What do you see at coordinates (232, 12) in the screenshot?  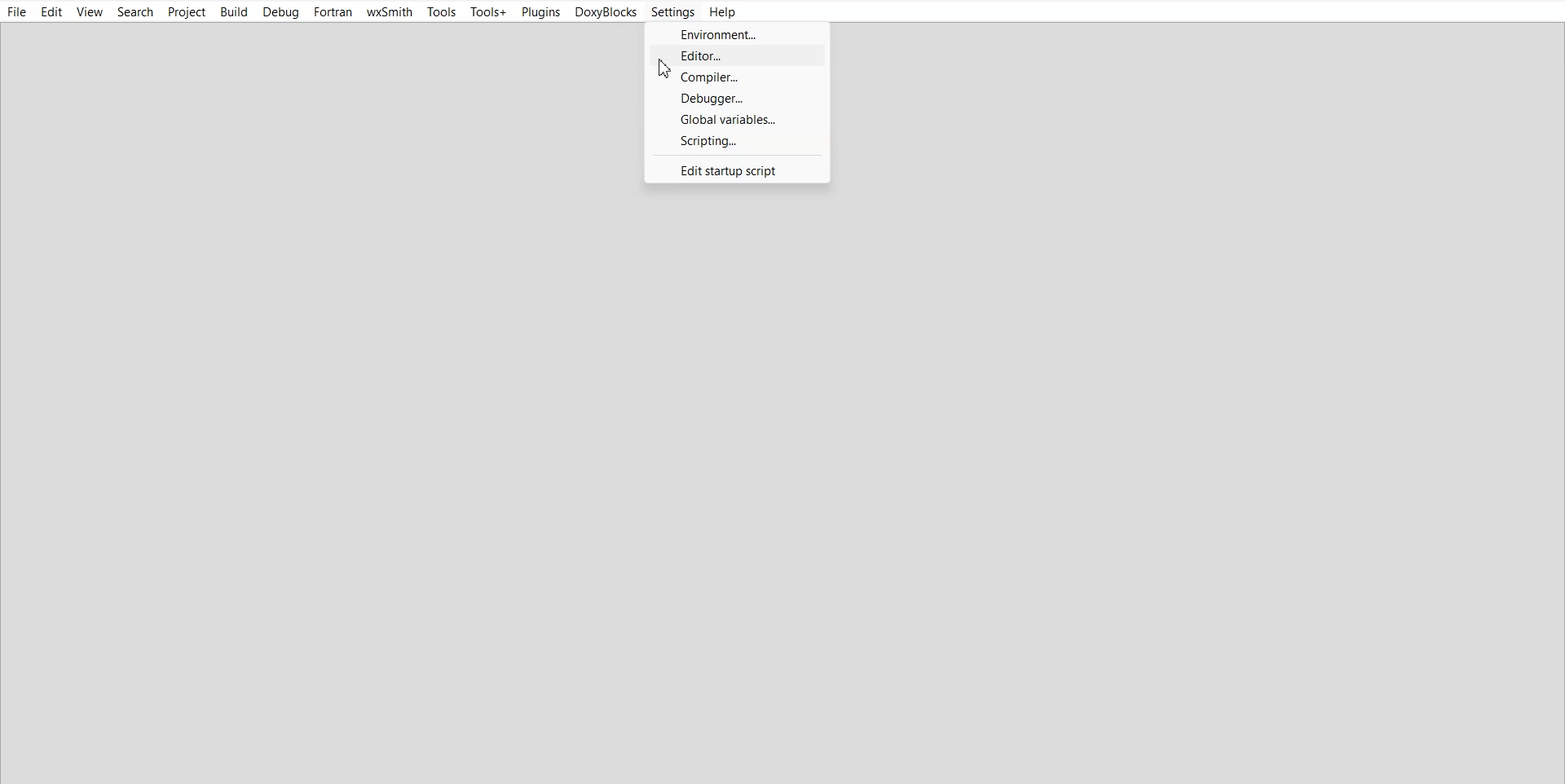 I see `Build` at bounding box center [232, 12].